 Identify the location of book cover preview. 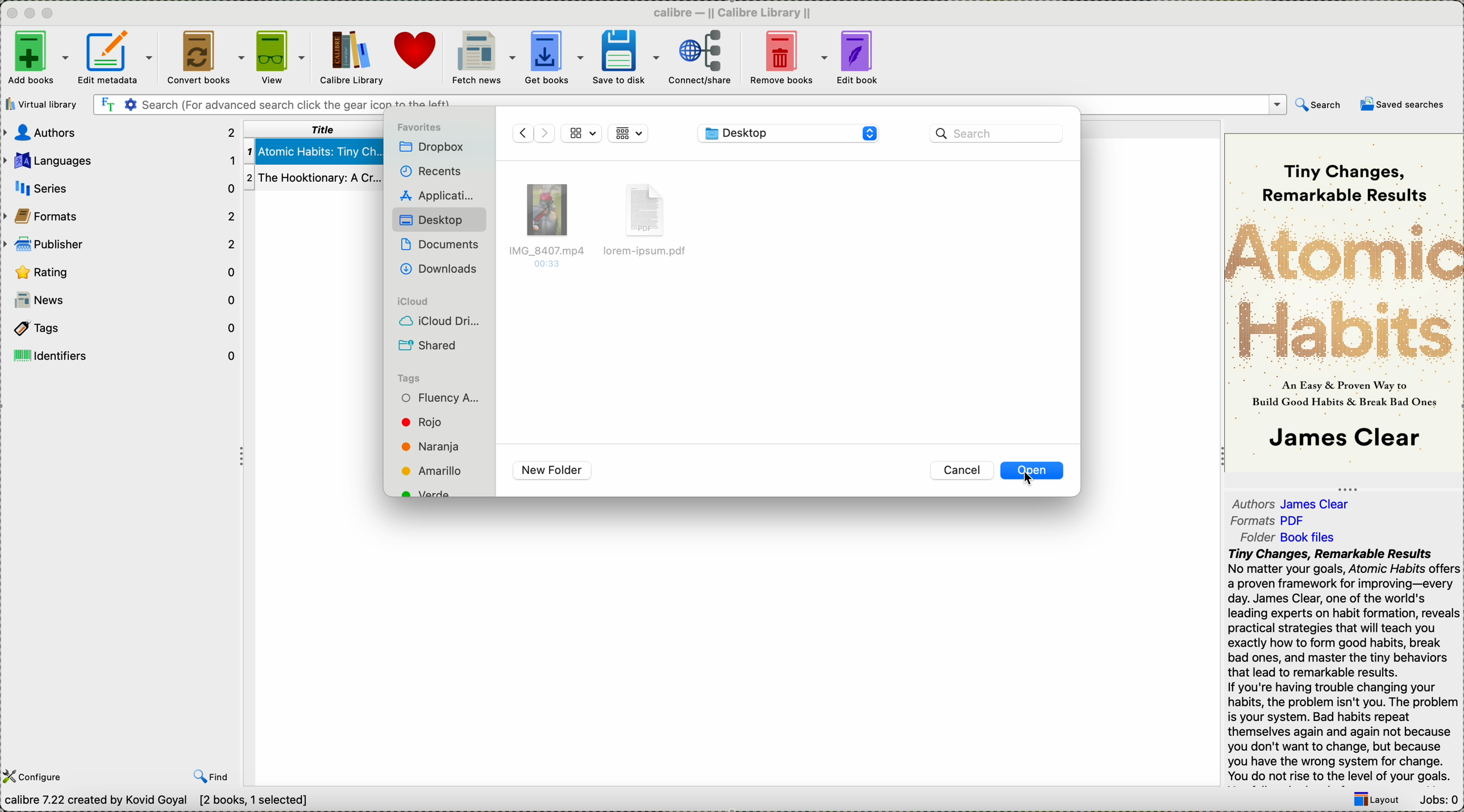
(1344, 302).